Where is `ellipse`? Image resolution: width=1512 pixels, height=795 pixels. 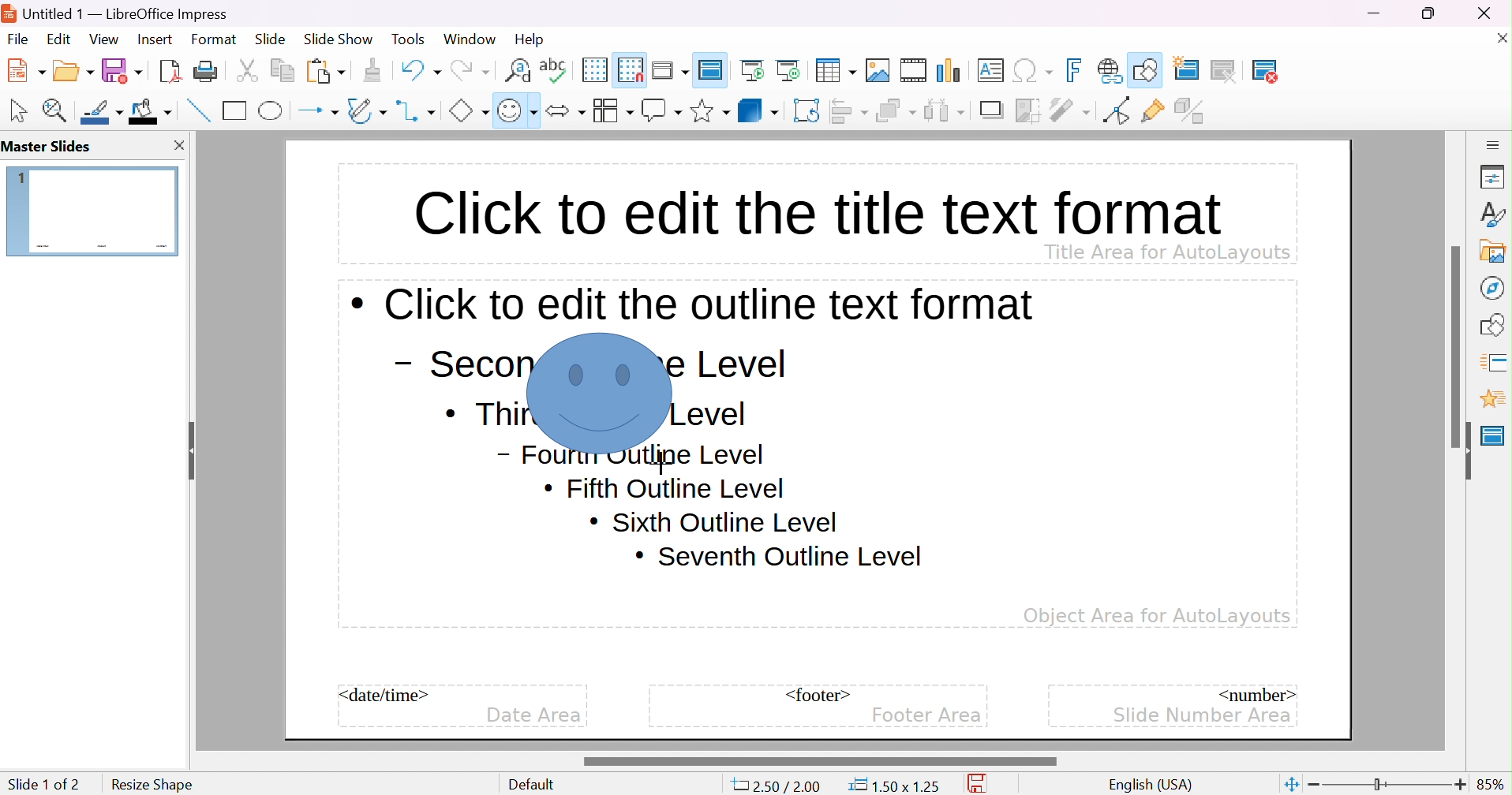 ellipse is located at coordinates (272, 110).